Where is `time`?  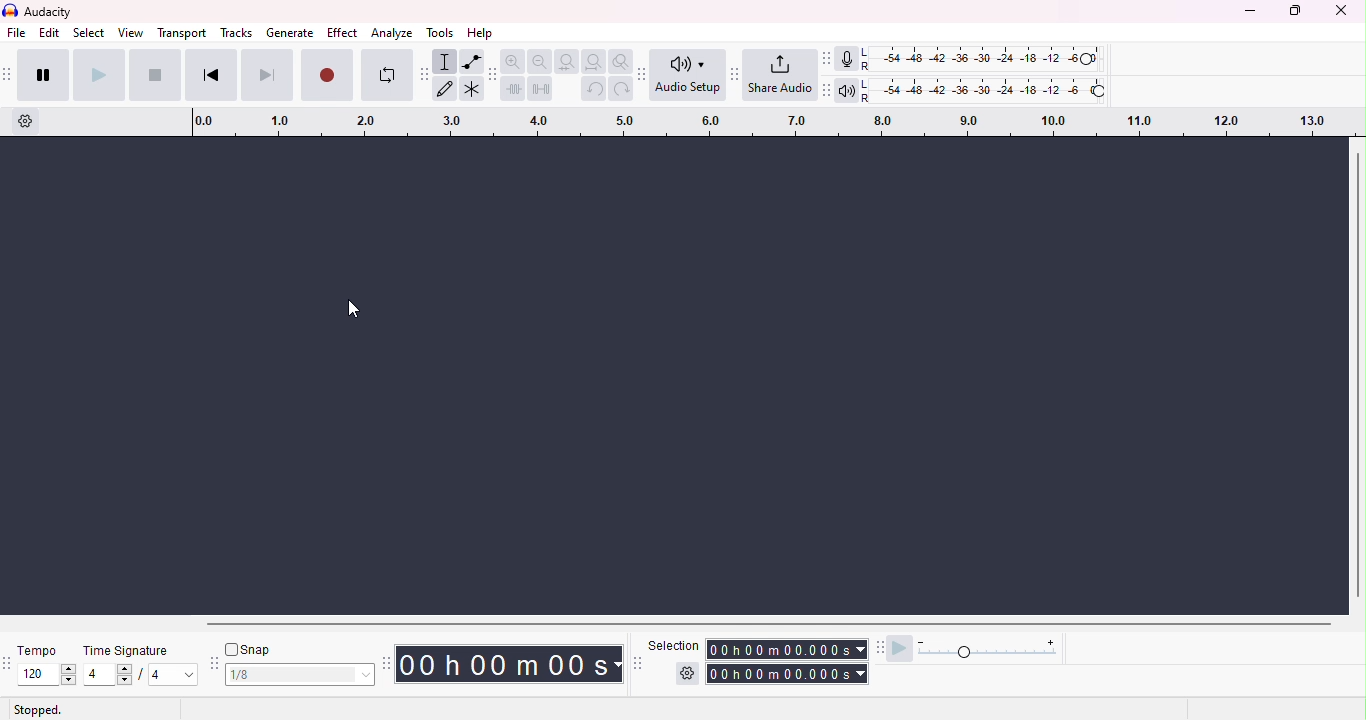
time is located at coordinates (511, 663).